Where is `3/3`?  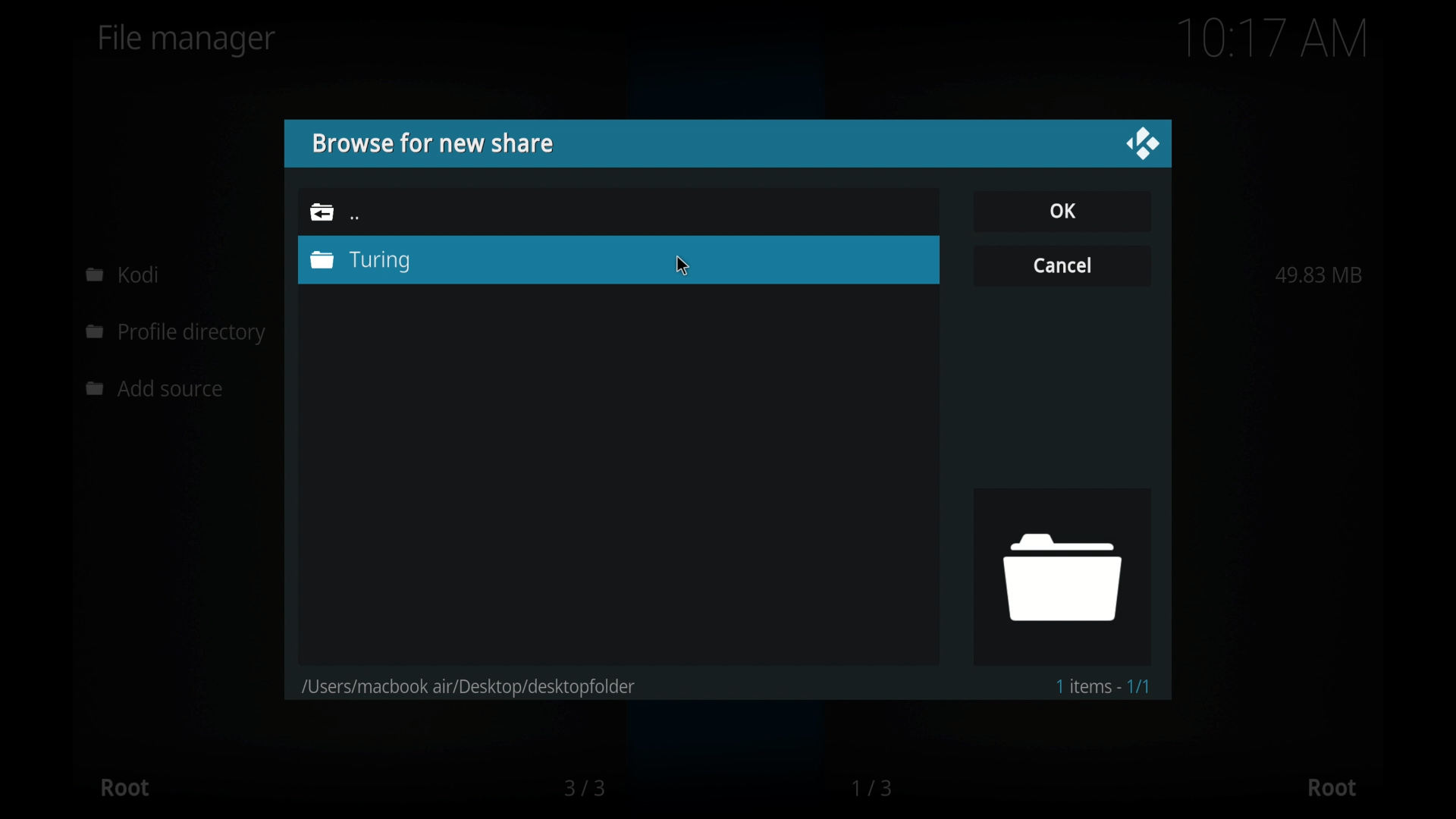 3/3 is located at coordinates (583, 788).